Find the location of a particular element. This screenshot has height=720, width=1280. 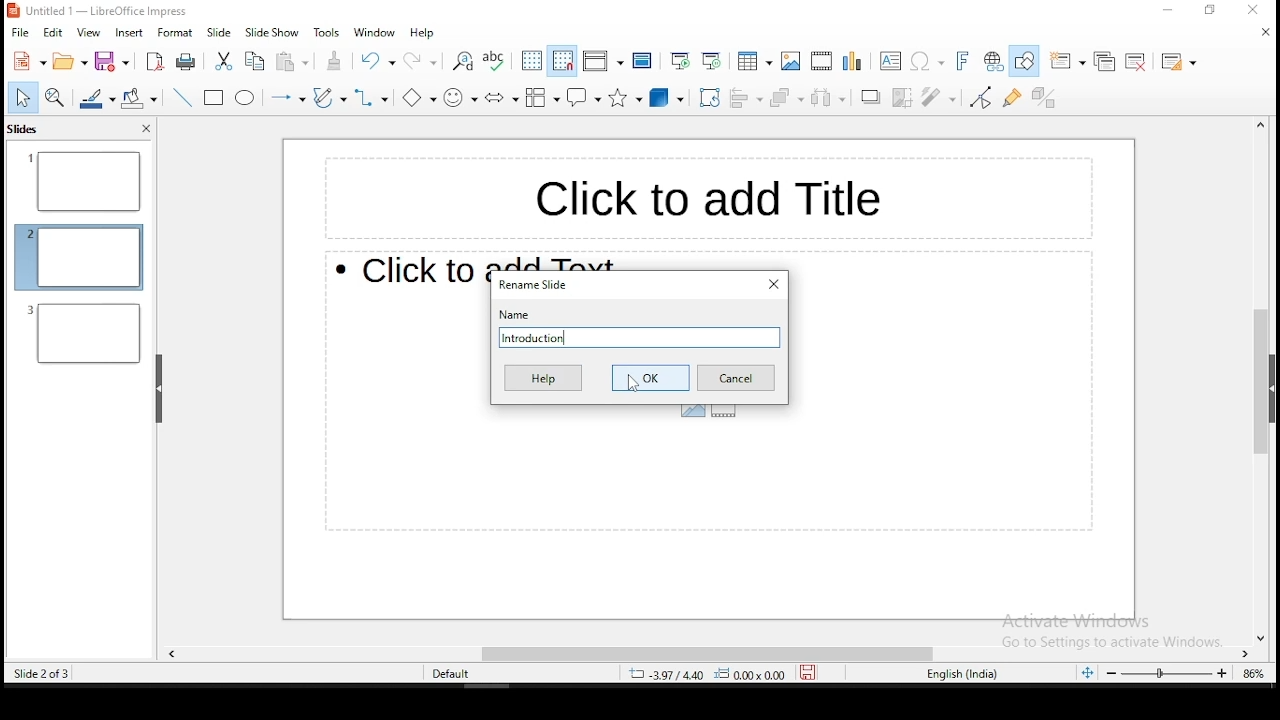

mouse pointer is located at coordinates (634, 384).